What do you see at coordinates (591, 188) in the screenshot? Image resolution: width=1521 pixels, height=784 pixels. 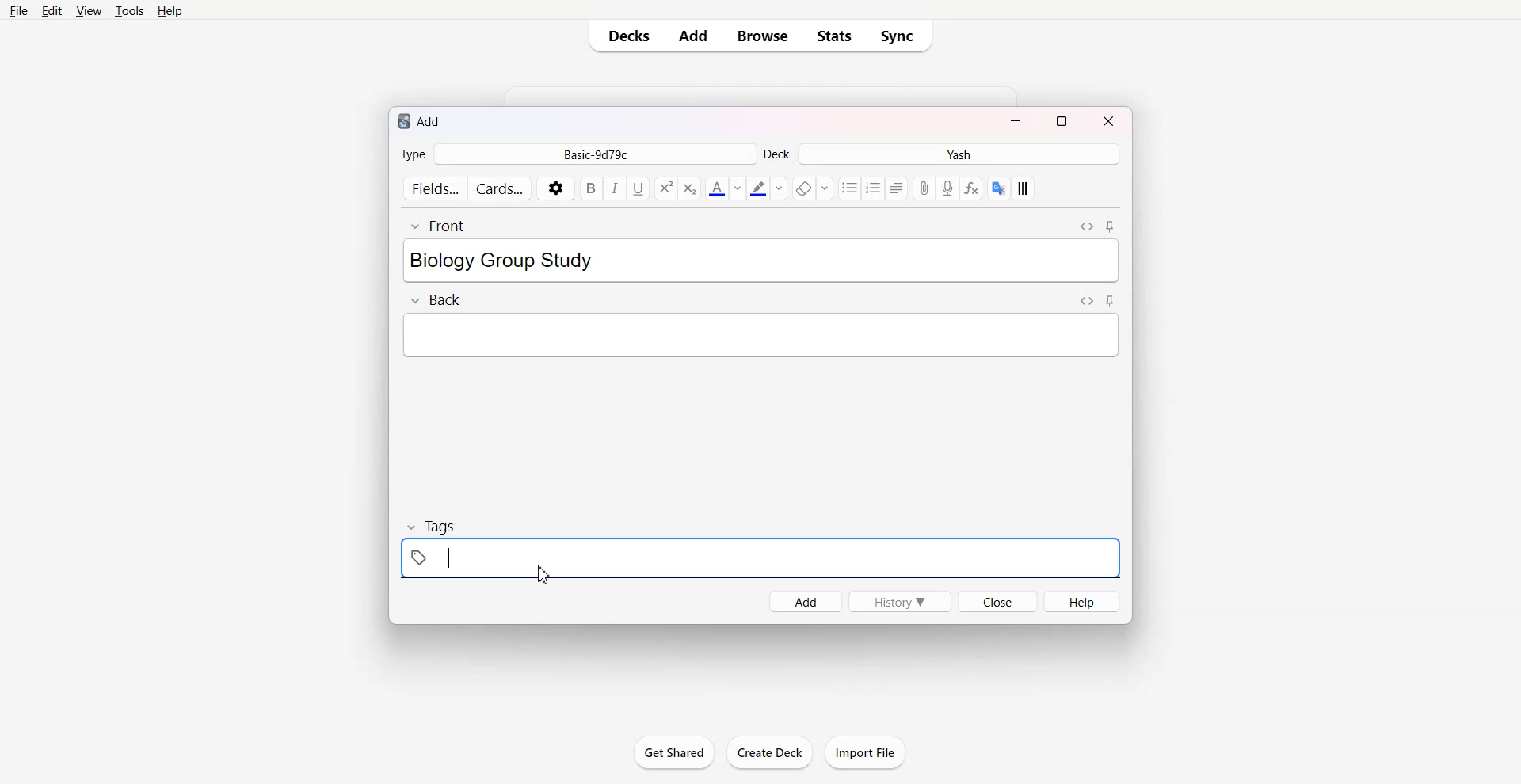 I see `Bold` at bounding box center [591, 188].